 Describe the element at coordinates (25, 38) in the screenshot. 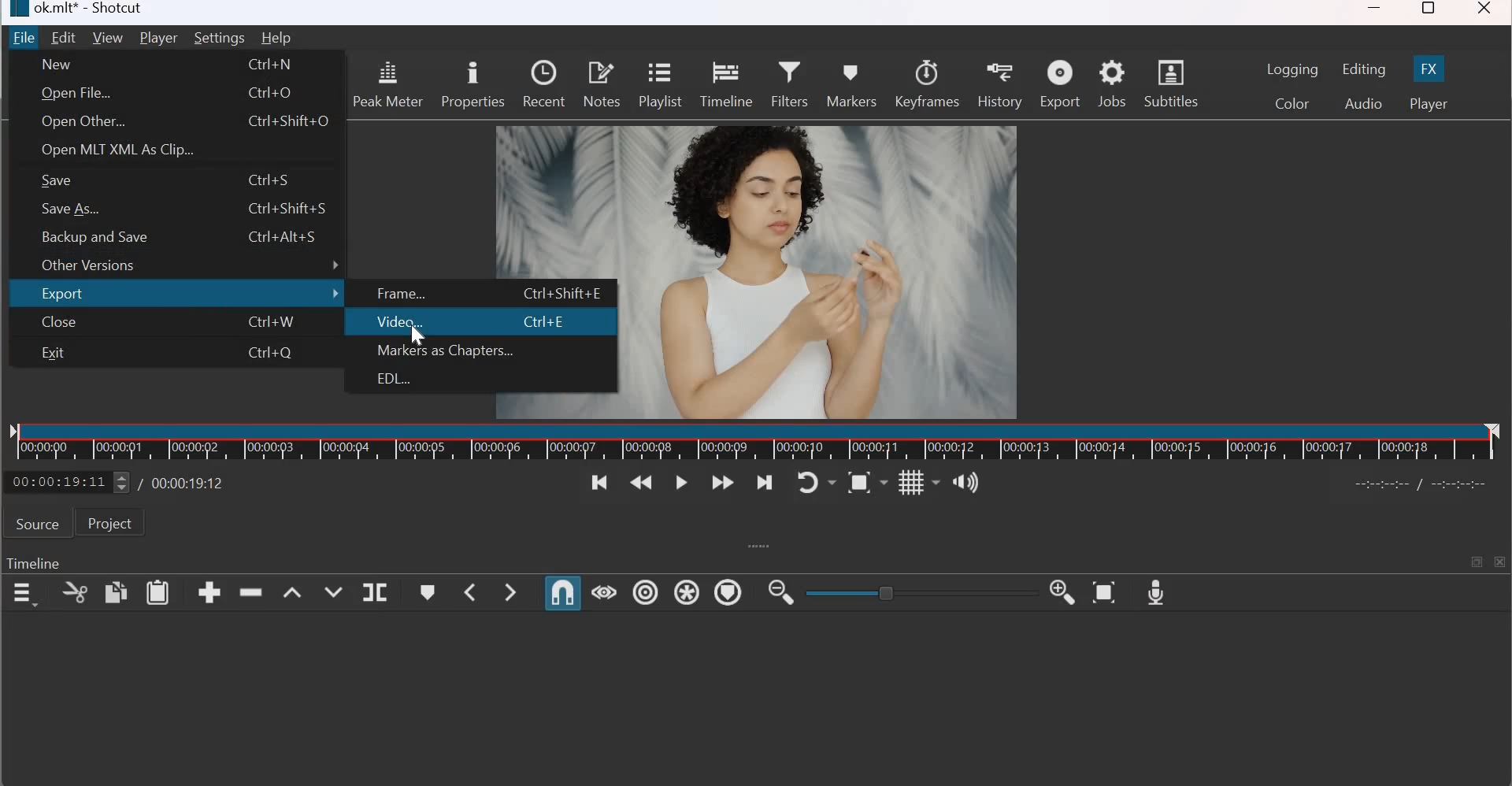

I see `File` at that location.